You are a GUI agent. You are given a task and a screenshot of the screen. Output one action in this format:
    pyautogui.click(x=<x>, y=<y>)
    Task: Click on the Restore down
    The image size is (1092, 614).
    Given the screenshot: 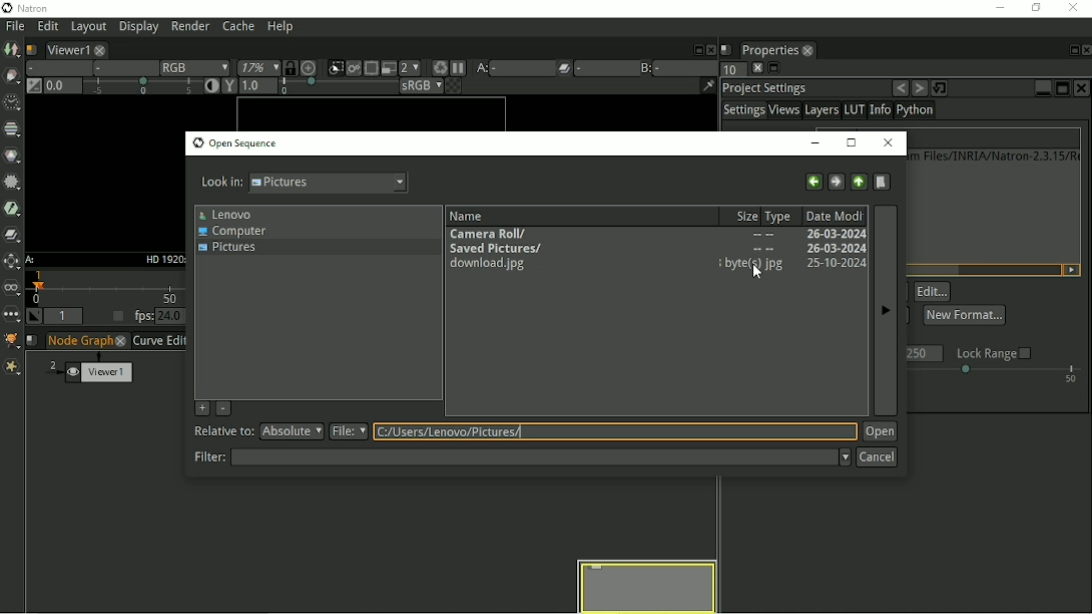 What is the action you would take?
    pyautogui.click(x=1033, y=8)
    